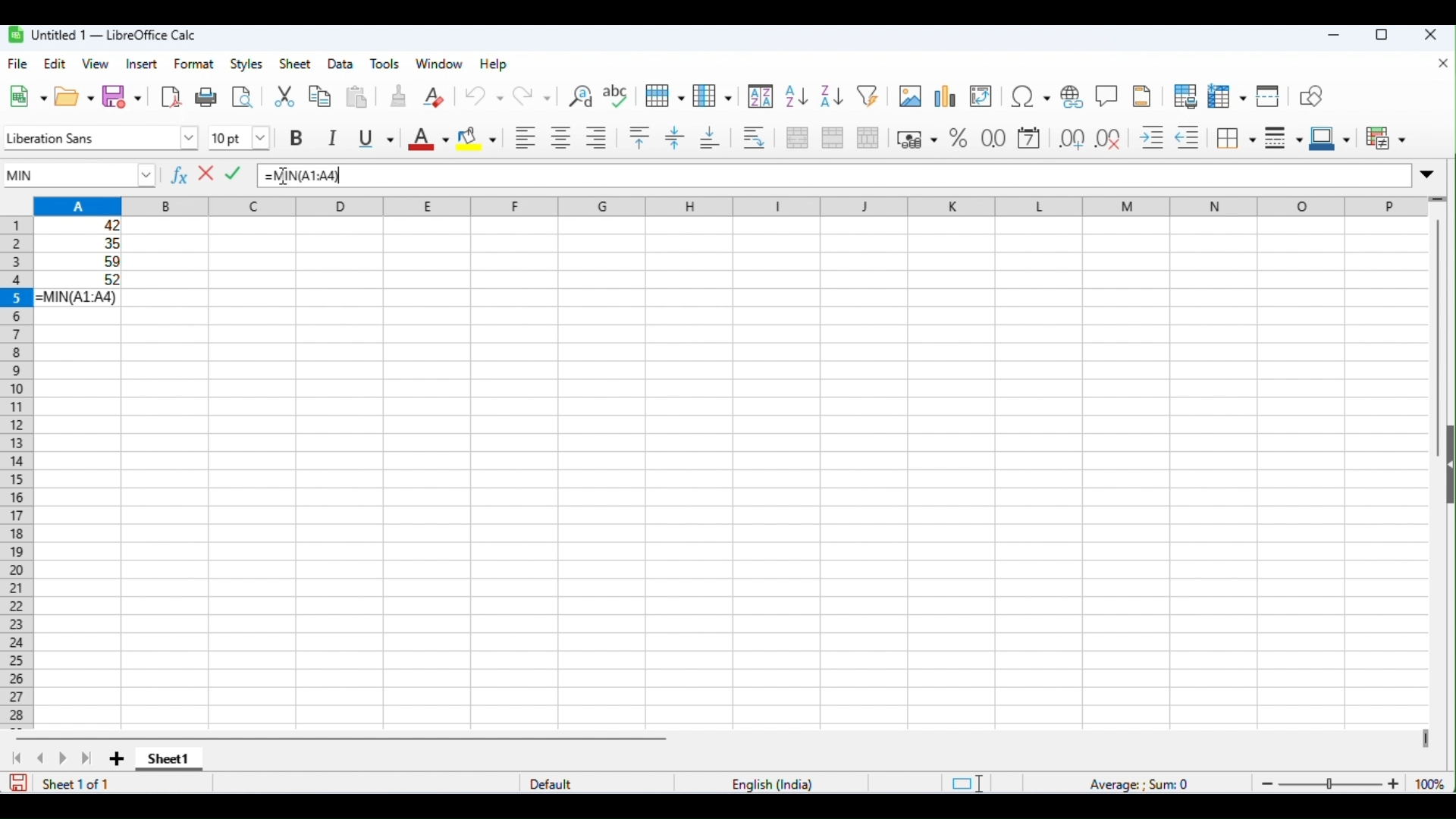 The height and width of the screenshot is (819, 1456). Describe the element at coordinates (617, 96) in the screenshot. I see `spelling` at that location.